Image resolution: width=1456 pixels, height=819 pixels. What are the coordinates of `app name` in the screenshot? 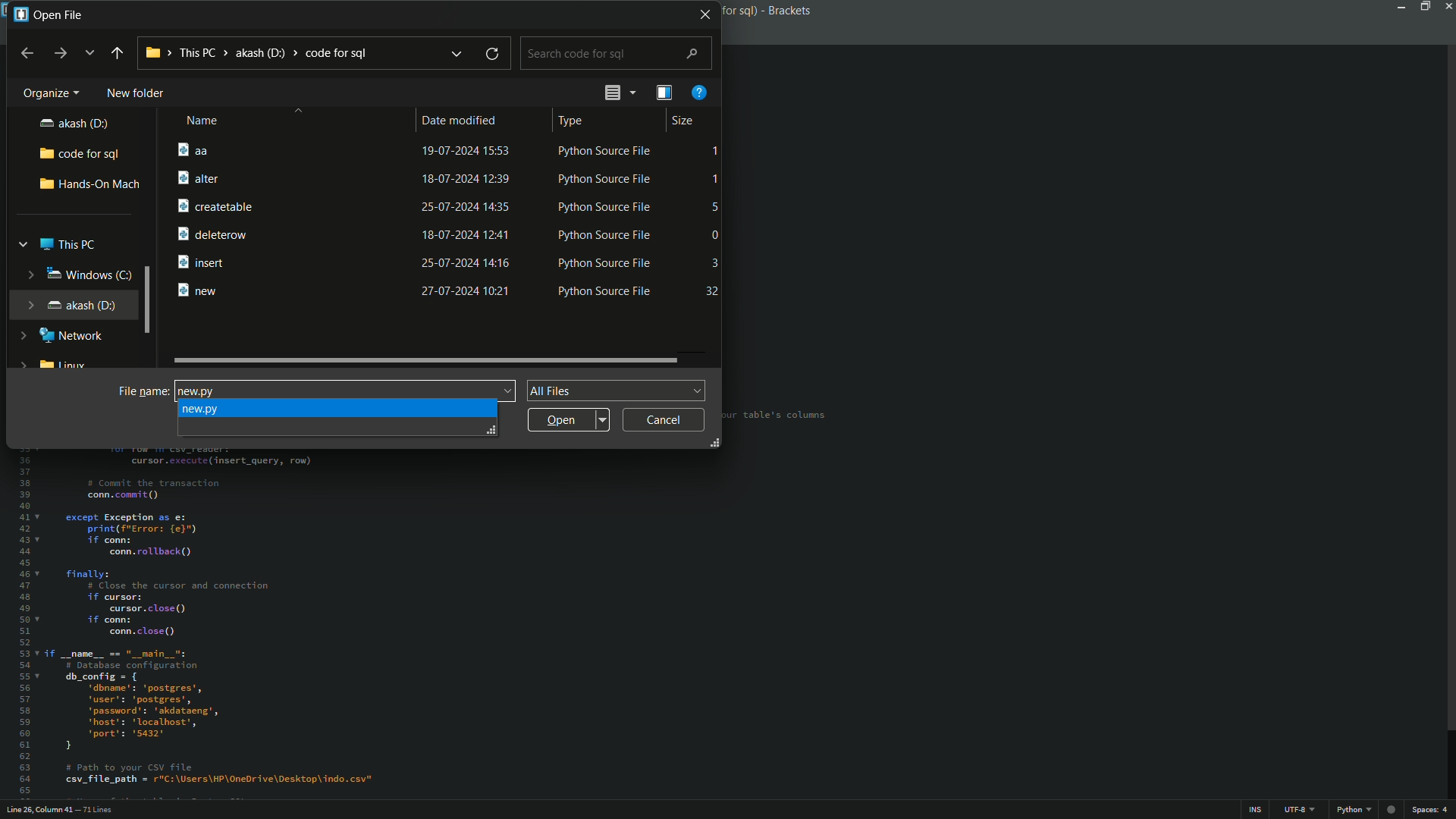 It's located at (767, 9).